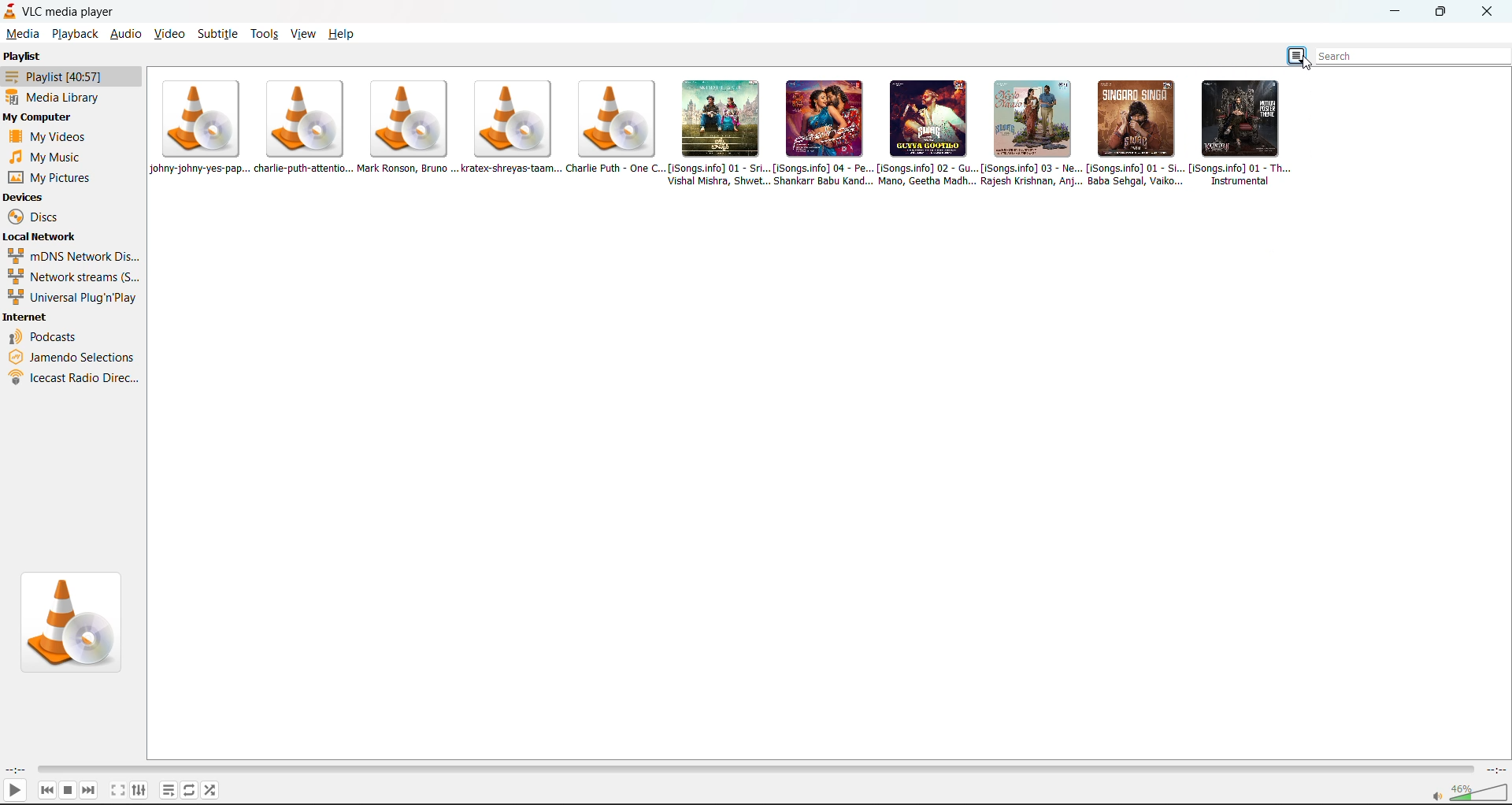 This screenshot has width=1512, height=805. Describe the element at coordinates (124, 35) in the screenshot. I see `audio` at that location.